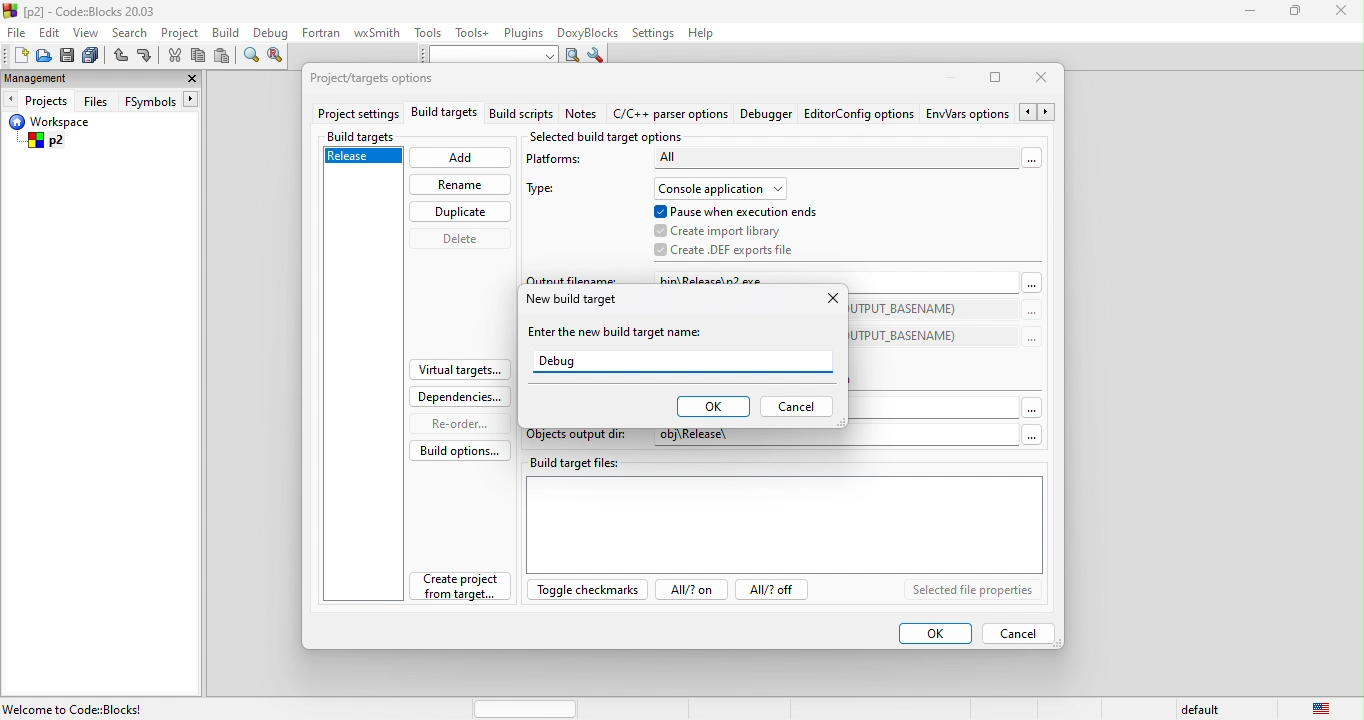  Describe the element at coordinates (323, 32) in the screenshot. I see `fortran` at that location.